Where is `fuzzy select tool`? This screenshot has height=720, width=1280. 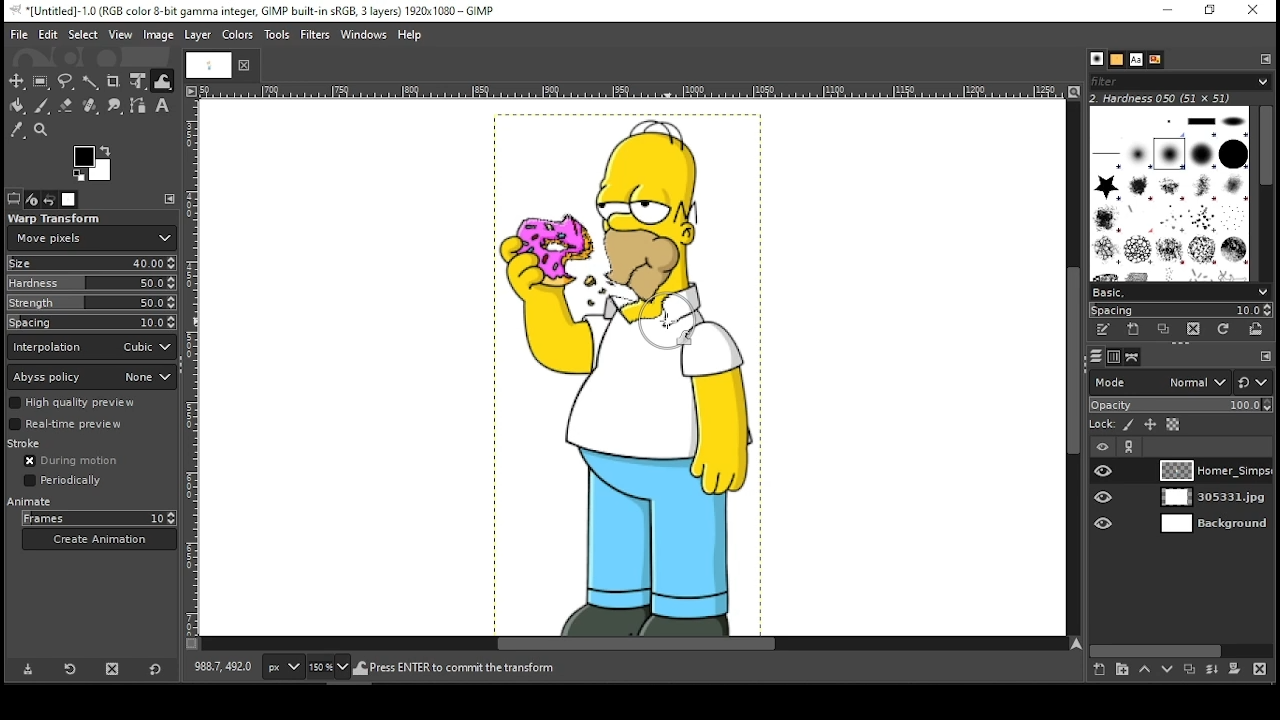 fuzzy select tool is located at coordinates (91, 81).